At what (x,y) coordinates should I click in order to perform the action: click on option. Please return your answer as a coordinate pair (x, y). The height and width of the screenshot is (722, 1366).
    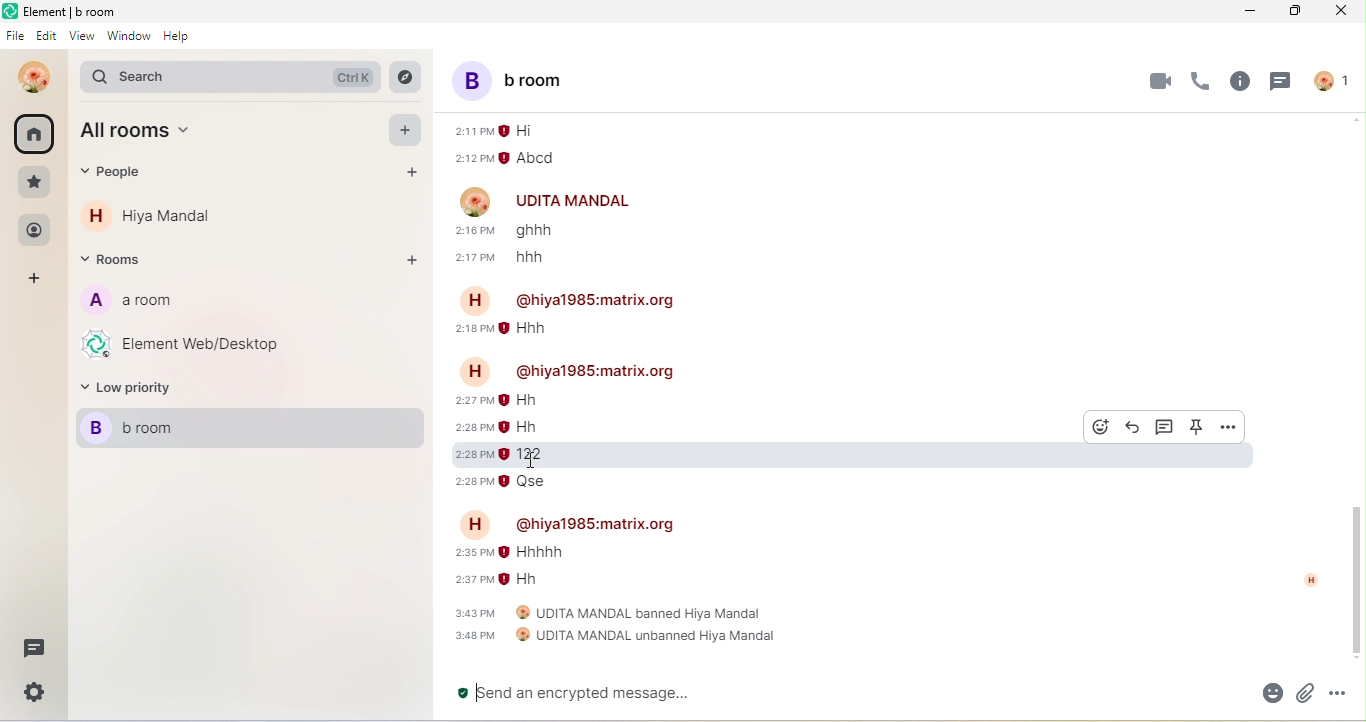
    Looking at the image, I should click on (1344, 693).